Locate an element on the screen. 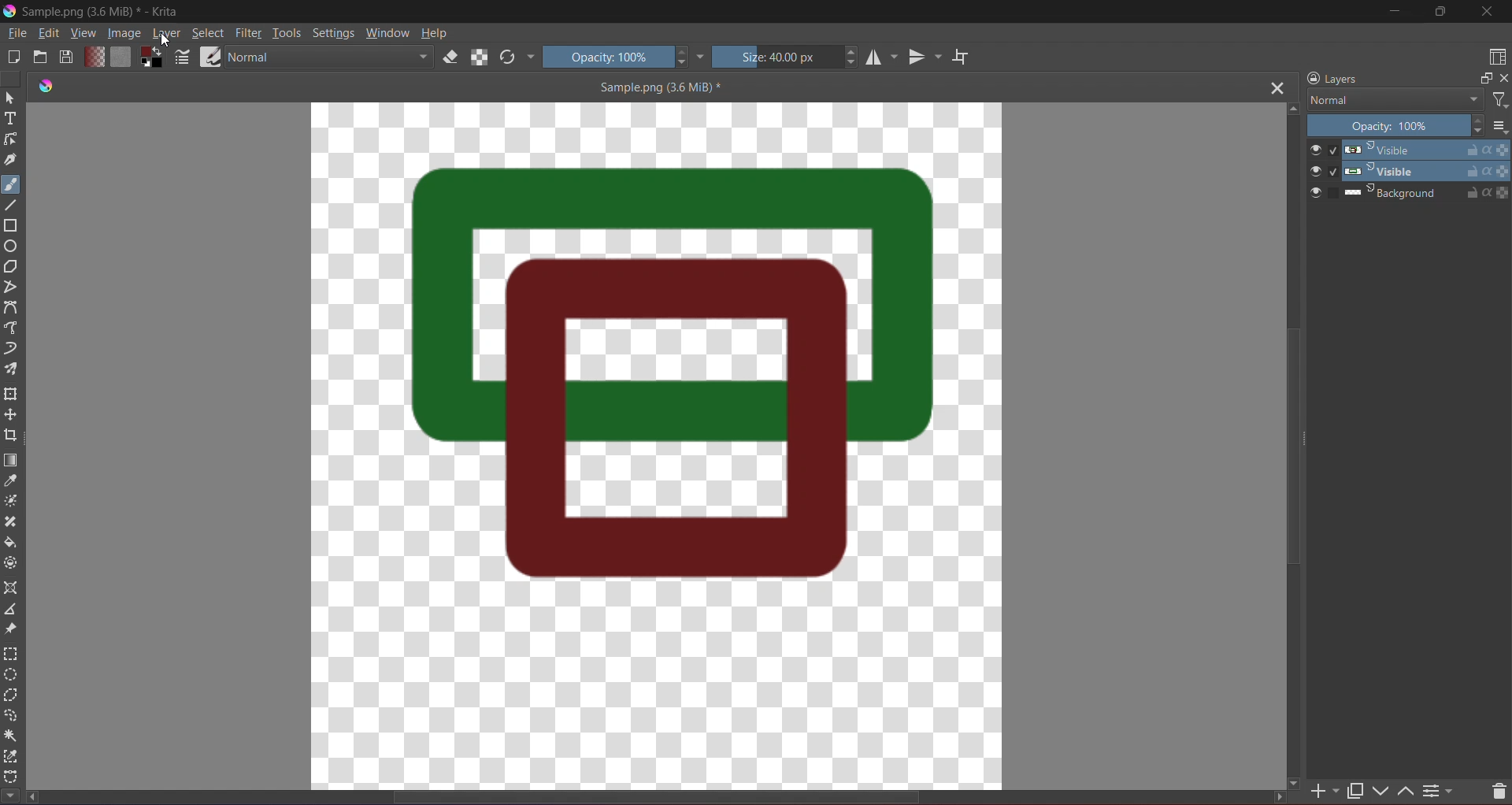  Select is located at coordinates (209, 33).